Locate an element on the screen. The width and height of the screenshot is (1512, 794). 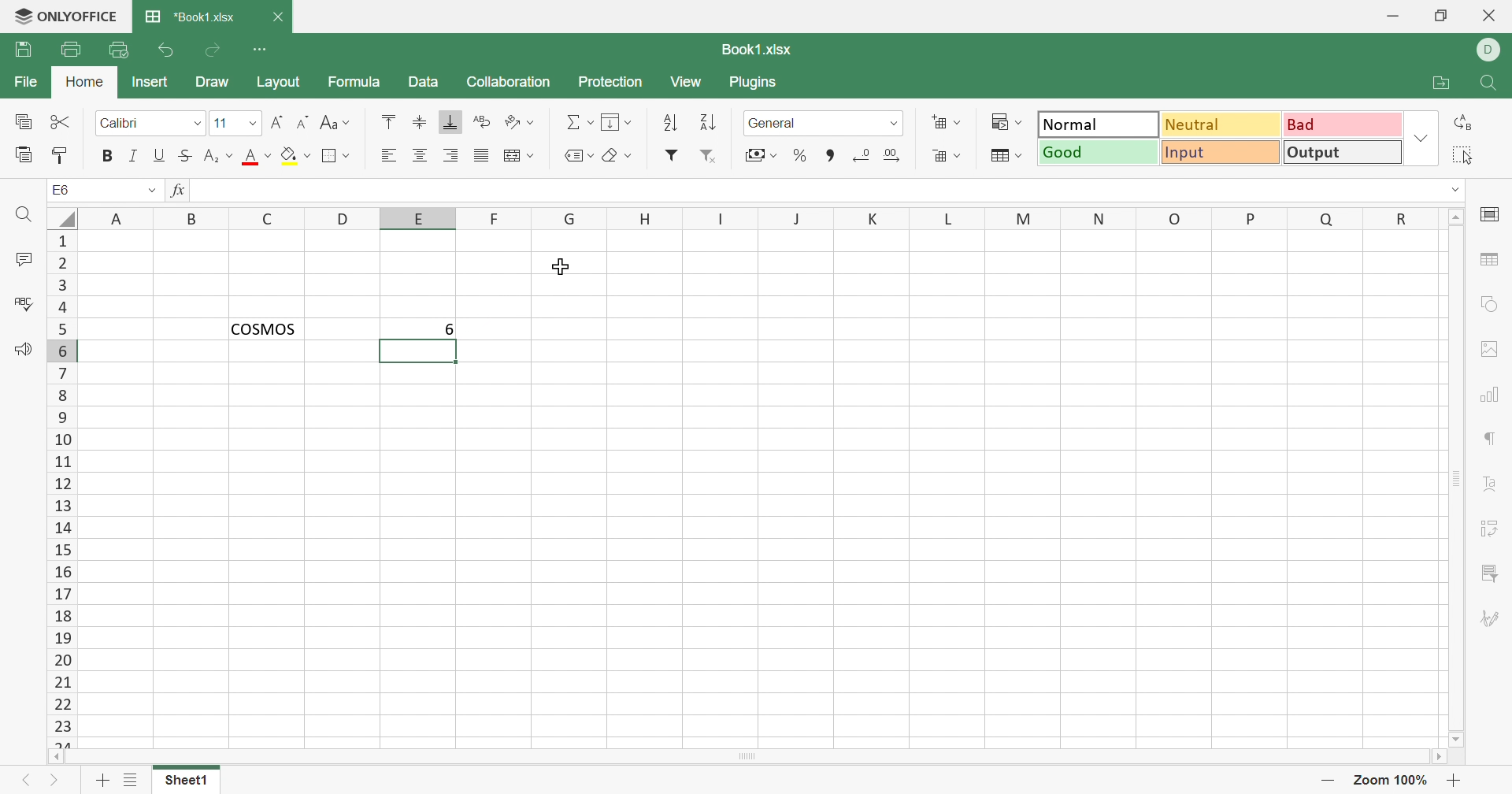
Copy style is located at coordinates (61, 158).